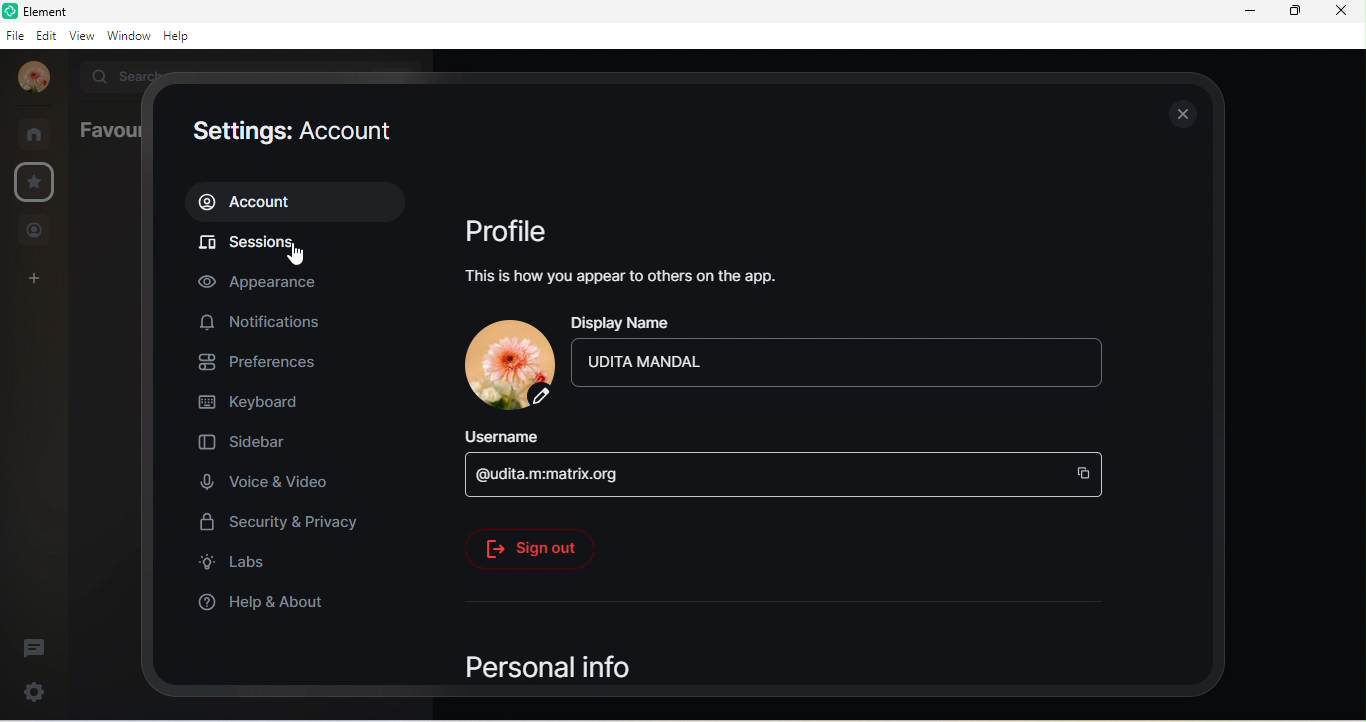  Describe the element at coordinates (627, 323) in the screenshot. I see `display name` at that location.